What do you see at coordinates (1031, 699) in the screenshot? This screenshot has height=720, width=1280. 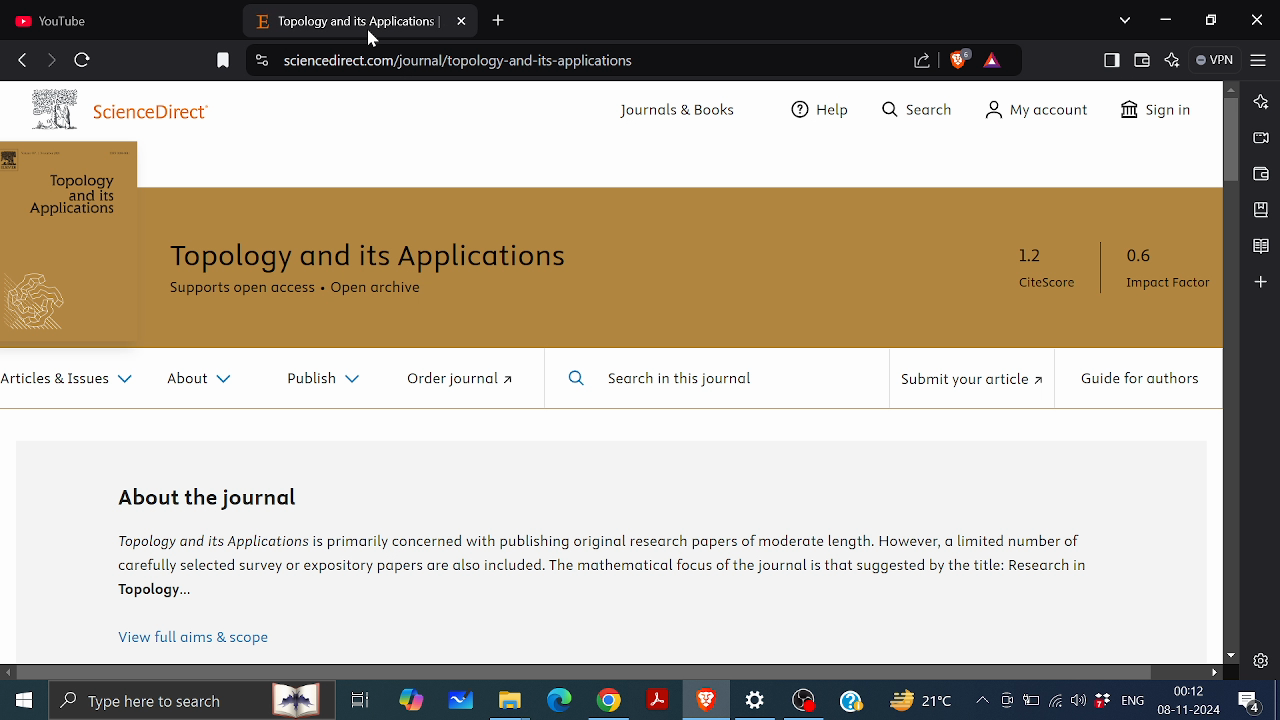 I see `Battery` at bounding box center [1031, 699].